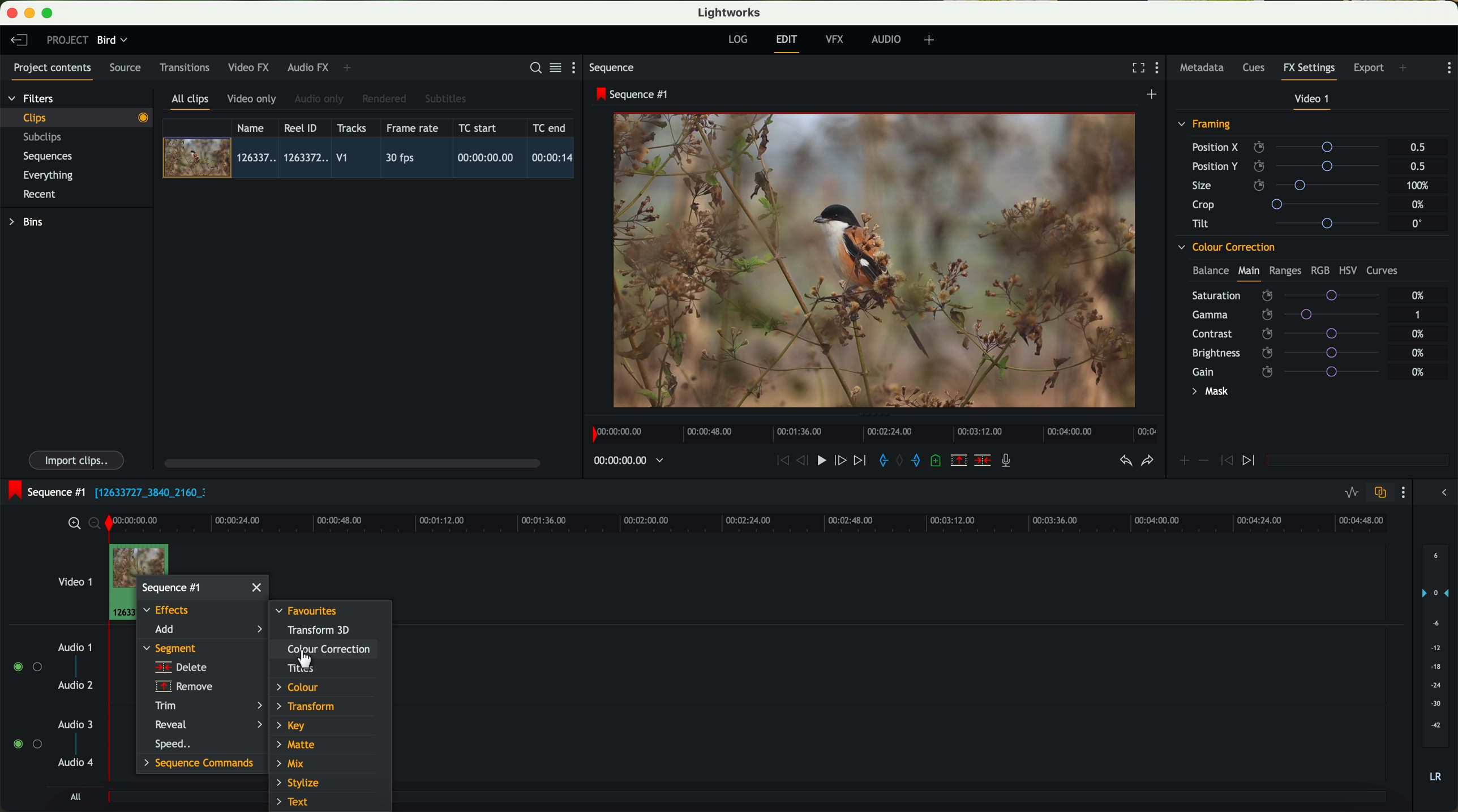 The width and height of the screenshot is (1458, 812). Describe the element at coordinates (900, 461) in the screenshot. I see `clear marks` at that location.